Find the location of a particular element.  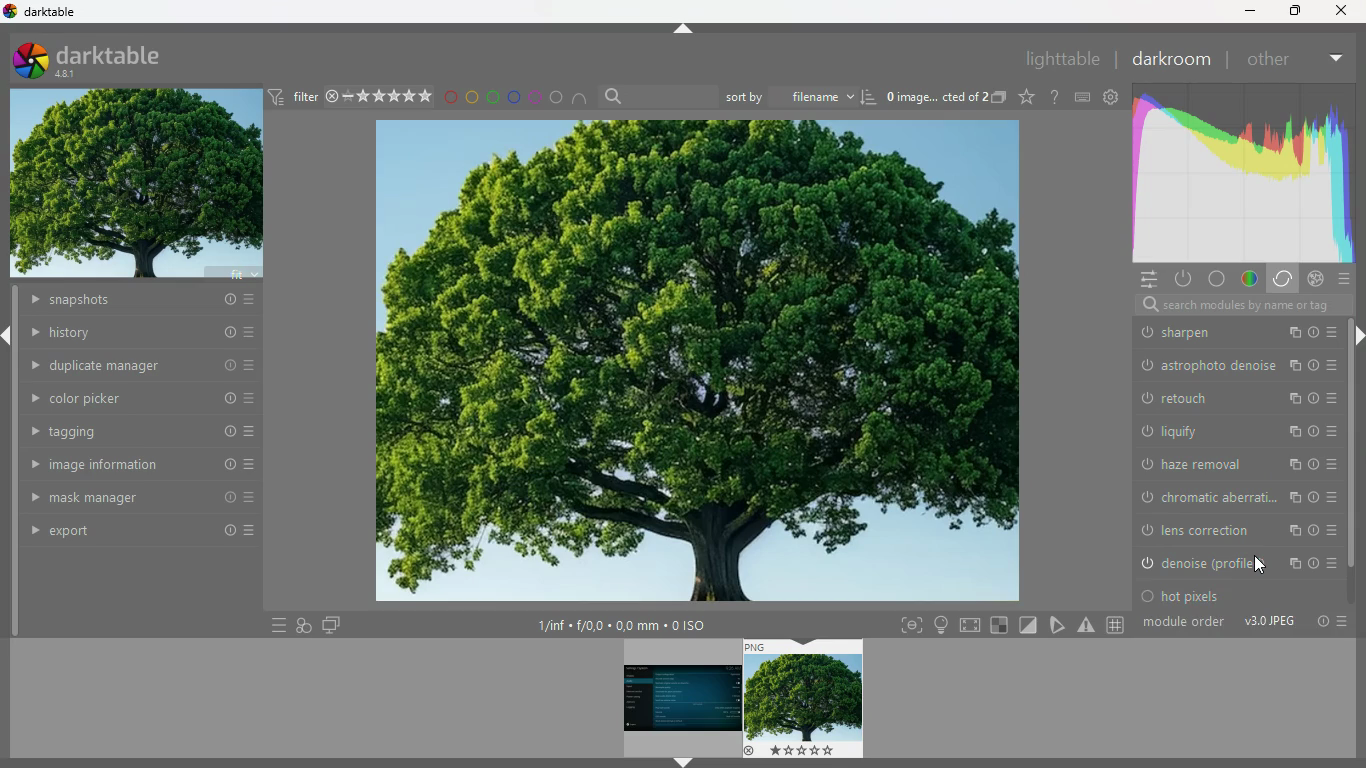

search is located at coordinates (615, 96).